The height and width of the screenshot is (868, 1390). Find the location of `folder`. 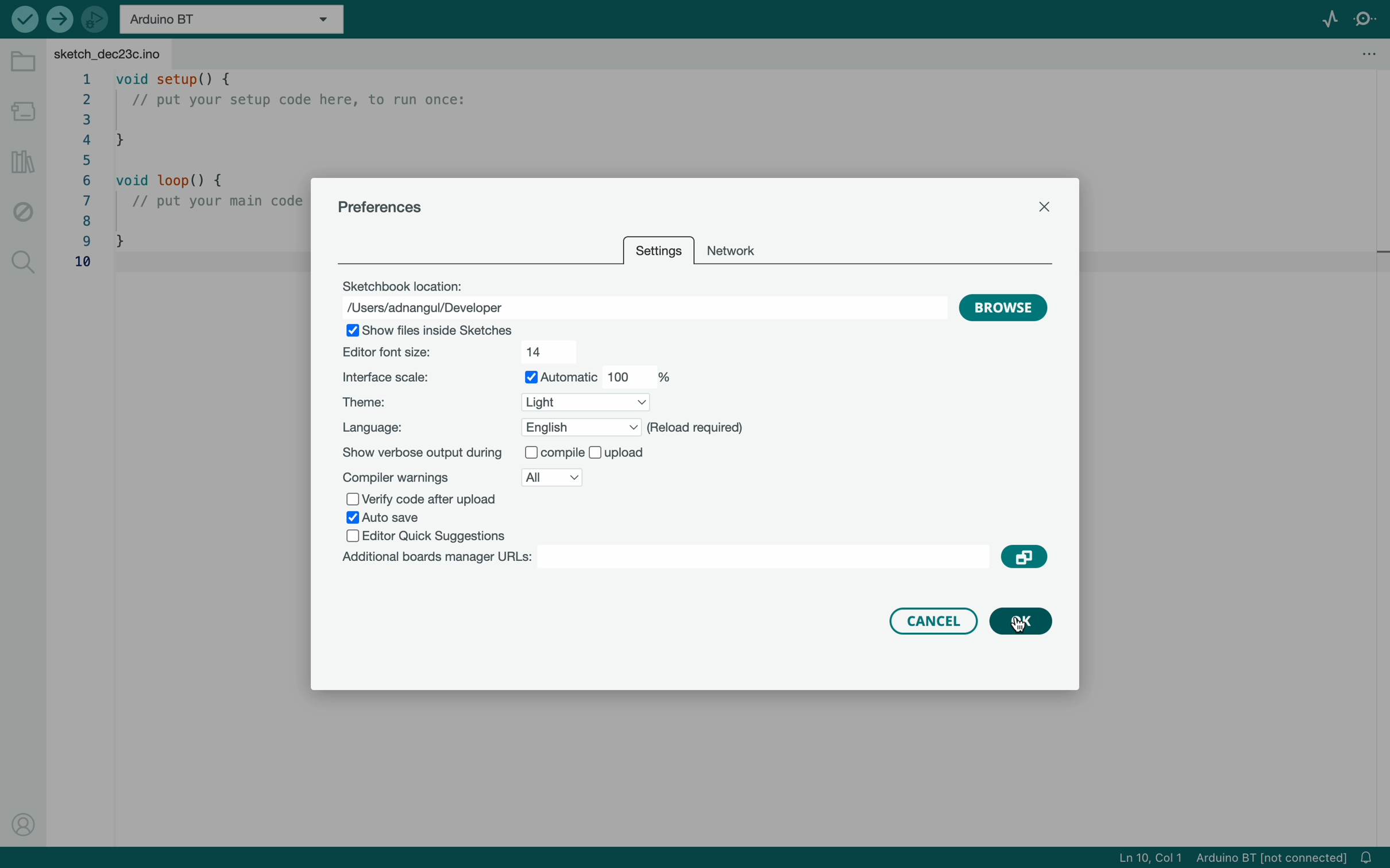

folder is located at coordinates (24, 63).